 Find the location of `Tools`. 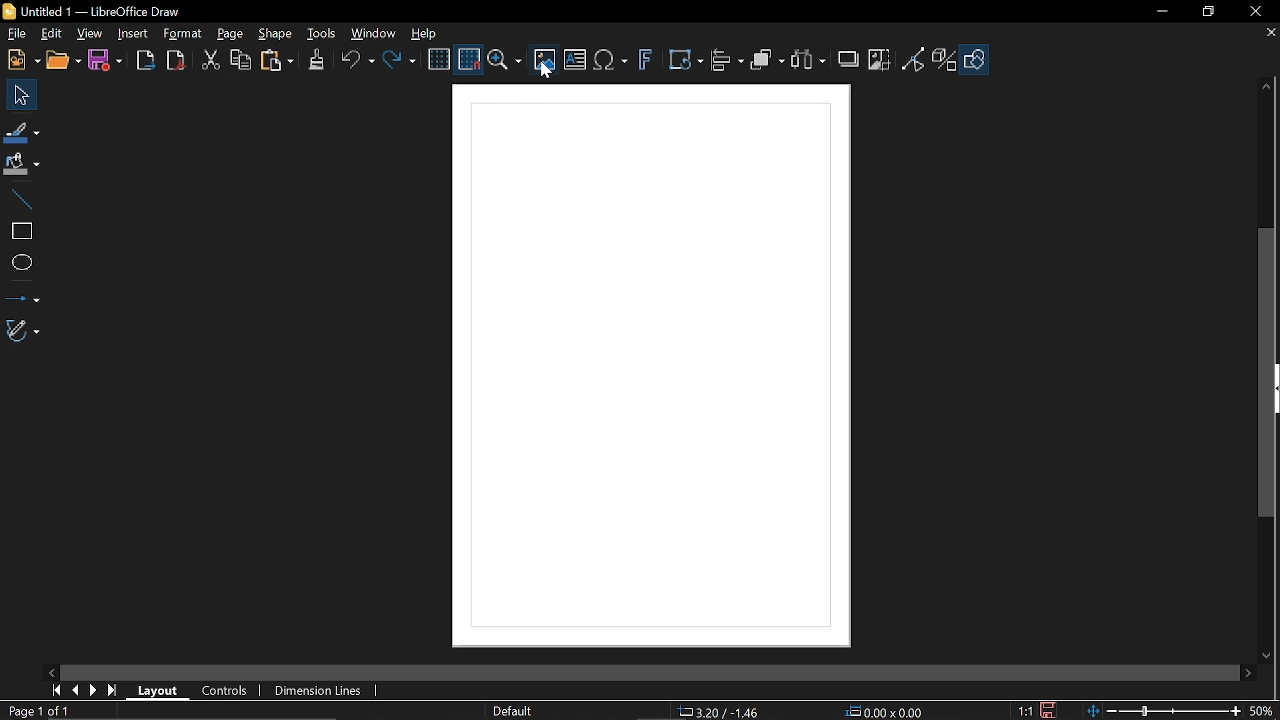

Tools is located at coordinates (322, 32).